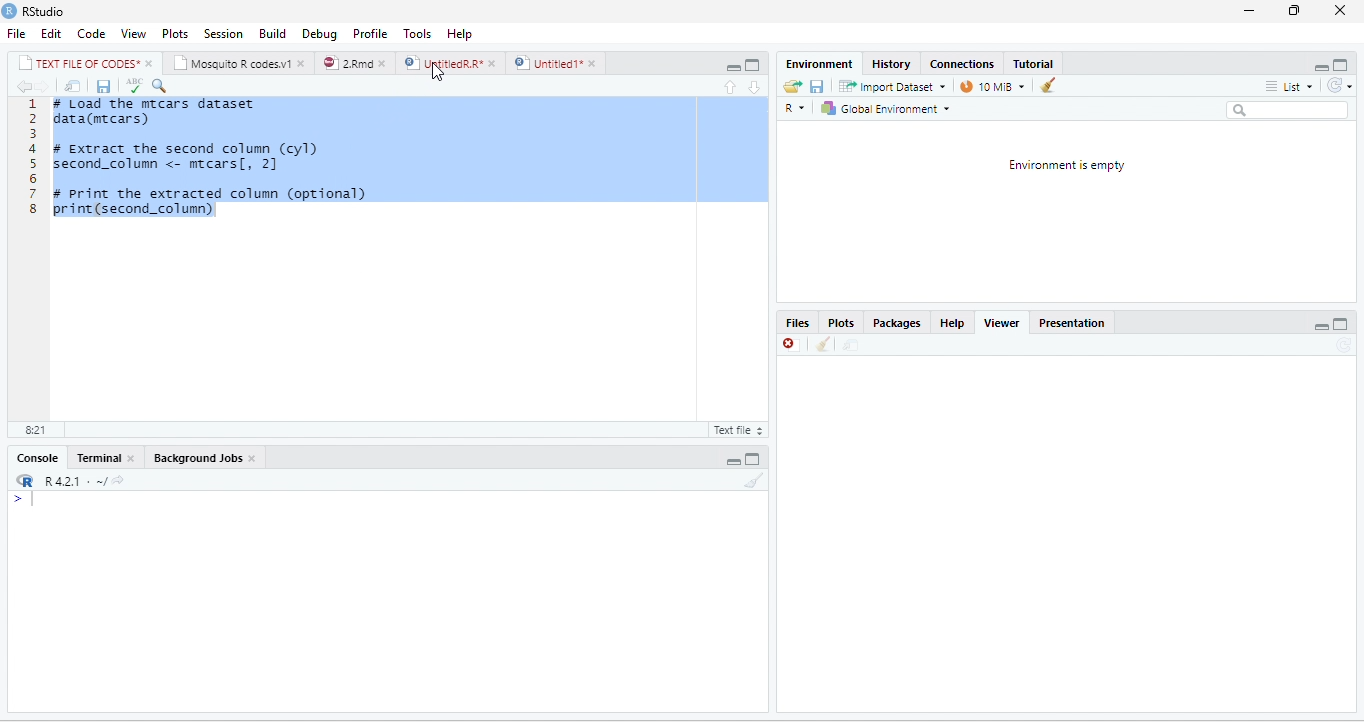 This screenshot has width=1364, height=722. I want to click on ‘Mosquito R codes.v1, so click(232, 62).